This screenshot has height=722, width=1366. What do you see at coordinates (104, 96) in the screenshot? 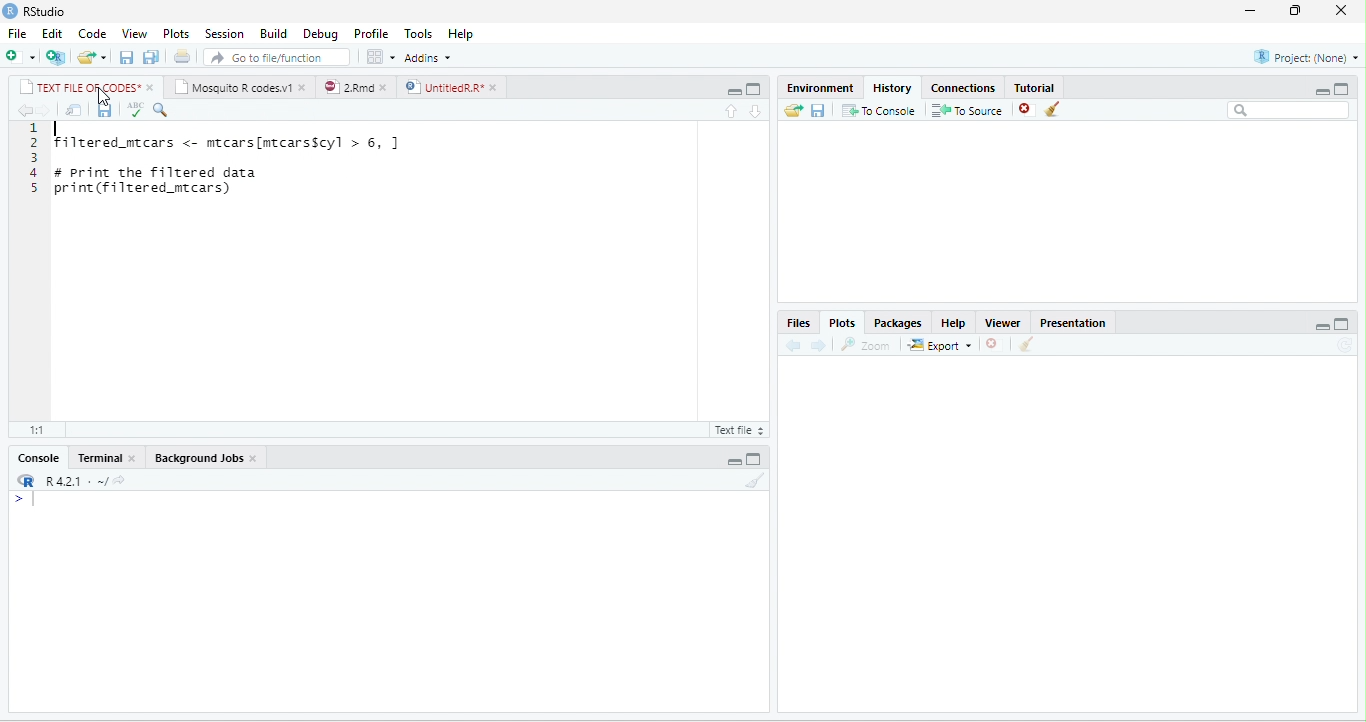
I see `cursor` at bounding box center [104, 96].